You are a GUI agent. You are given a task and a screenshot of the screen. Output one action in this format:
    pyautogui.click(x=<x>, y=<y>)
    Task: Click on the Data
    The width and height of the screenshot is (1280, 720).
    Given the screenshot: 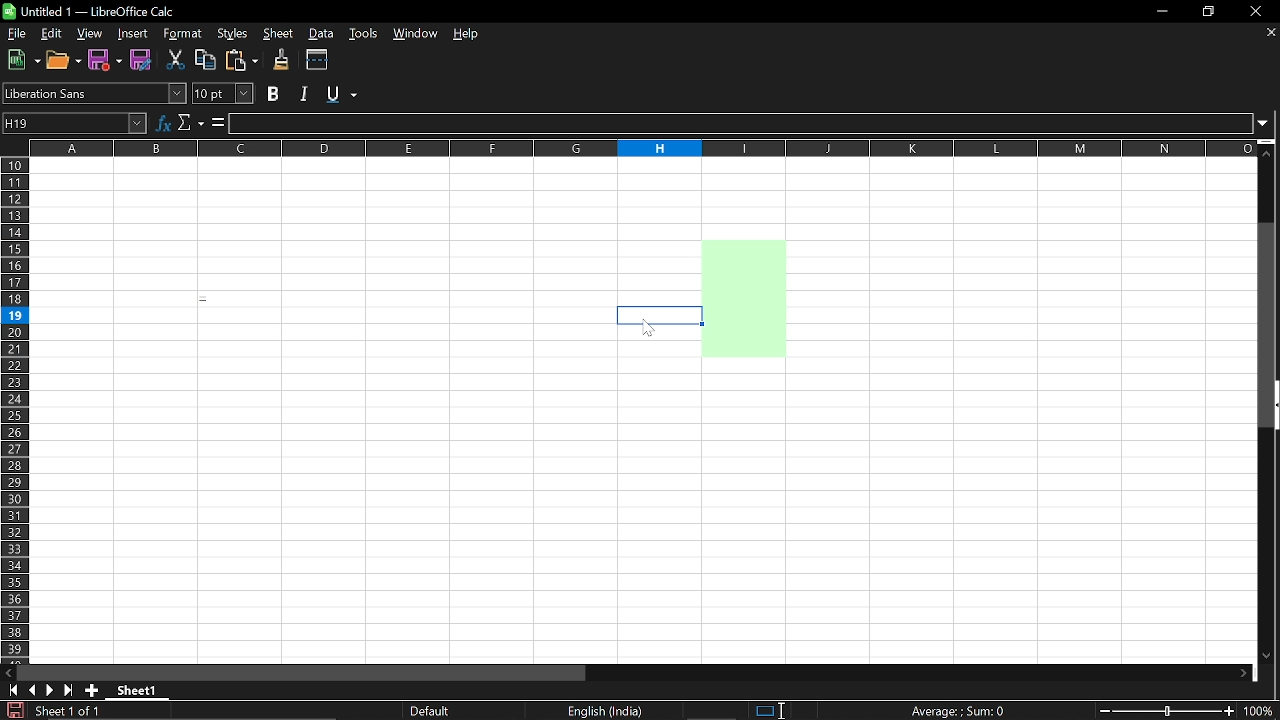 What is the action you would take?
    pyautogui.click(x=323, y=34)
    